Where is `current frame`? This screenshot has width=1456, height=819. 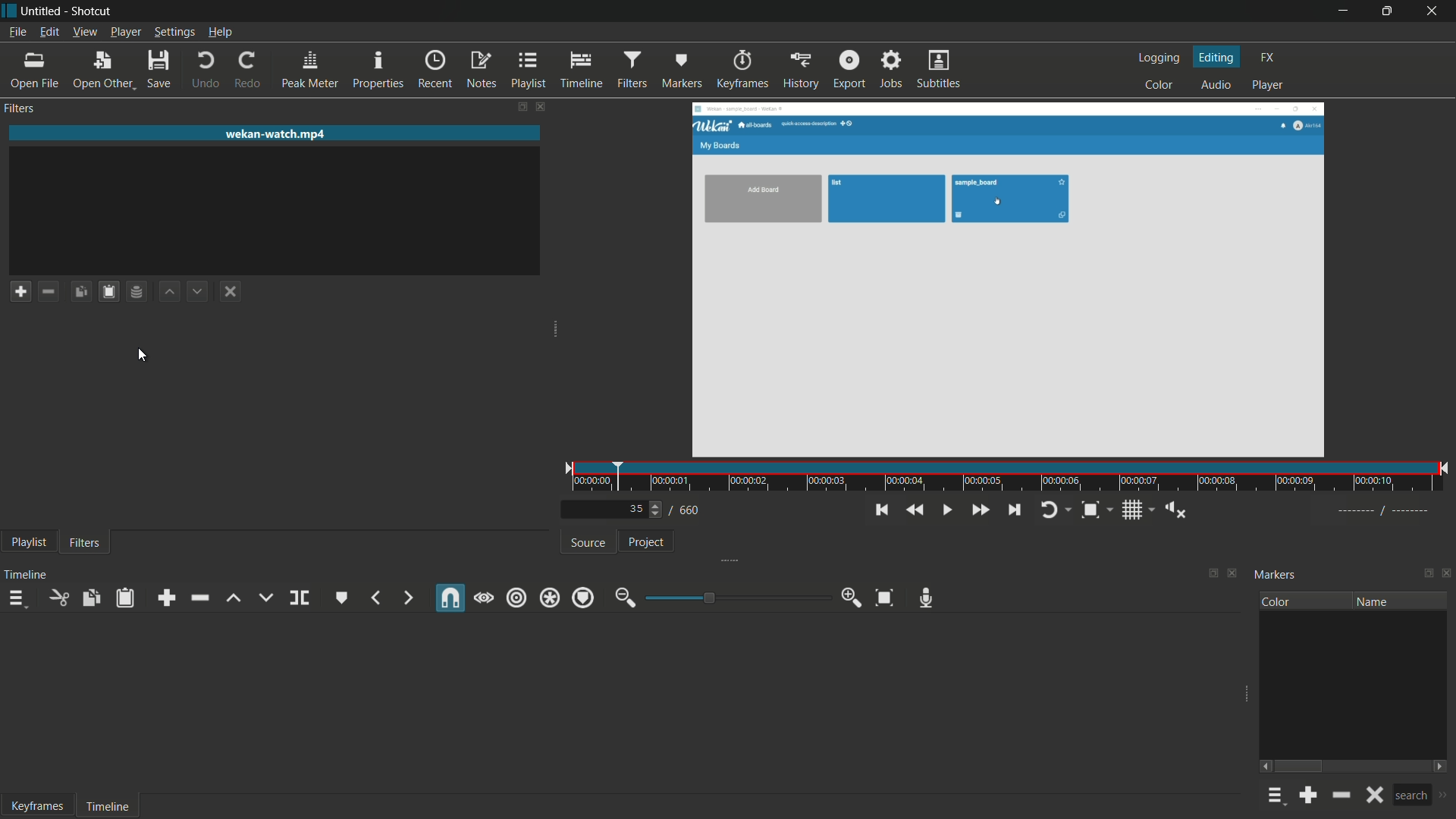
current frame is located at coordinates (639, 510).